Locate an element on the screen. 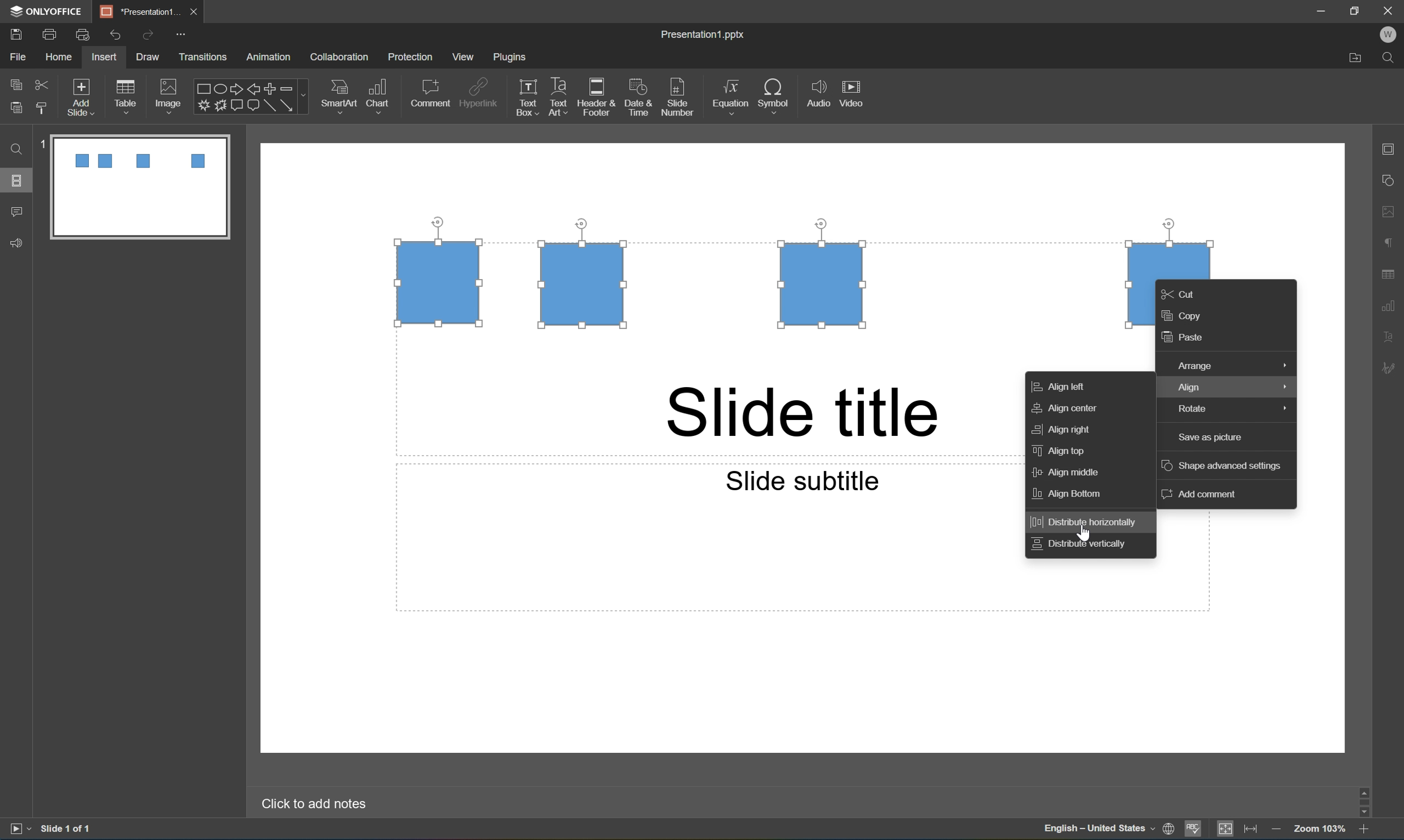 This screenshot has width=1404, height=840. draw is located at coordinates (145, 57).